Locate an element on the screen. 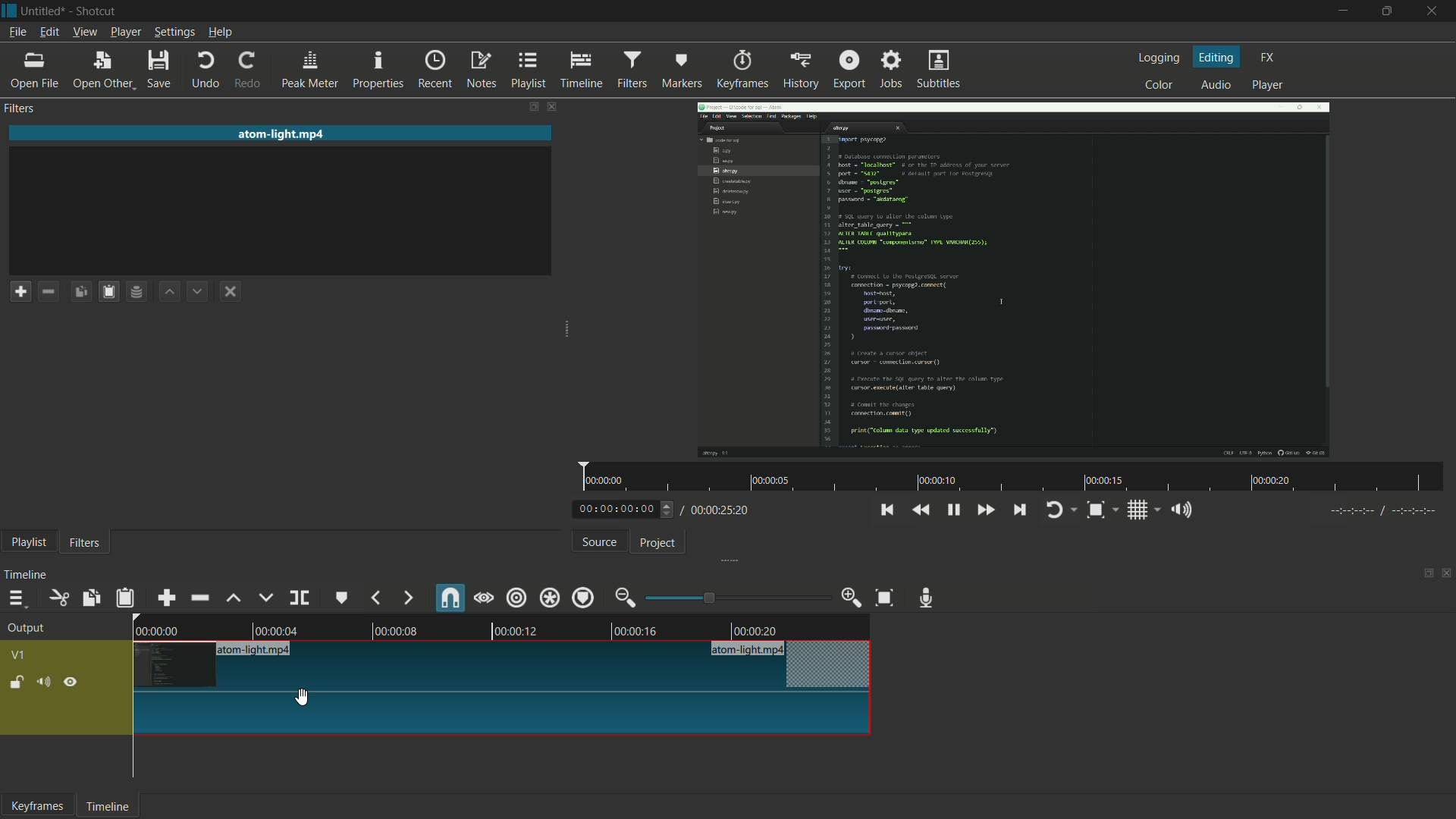 The width and height of the screenshot is (1456, 819). open file is located at coordinates (34, 70).